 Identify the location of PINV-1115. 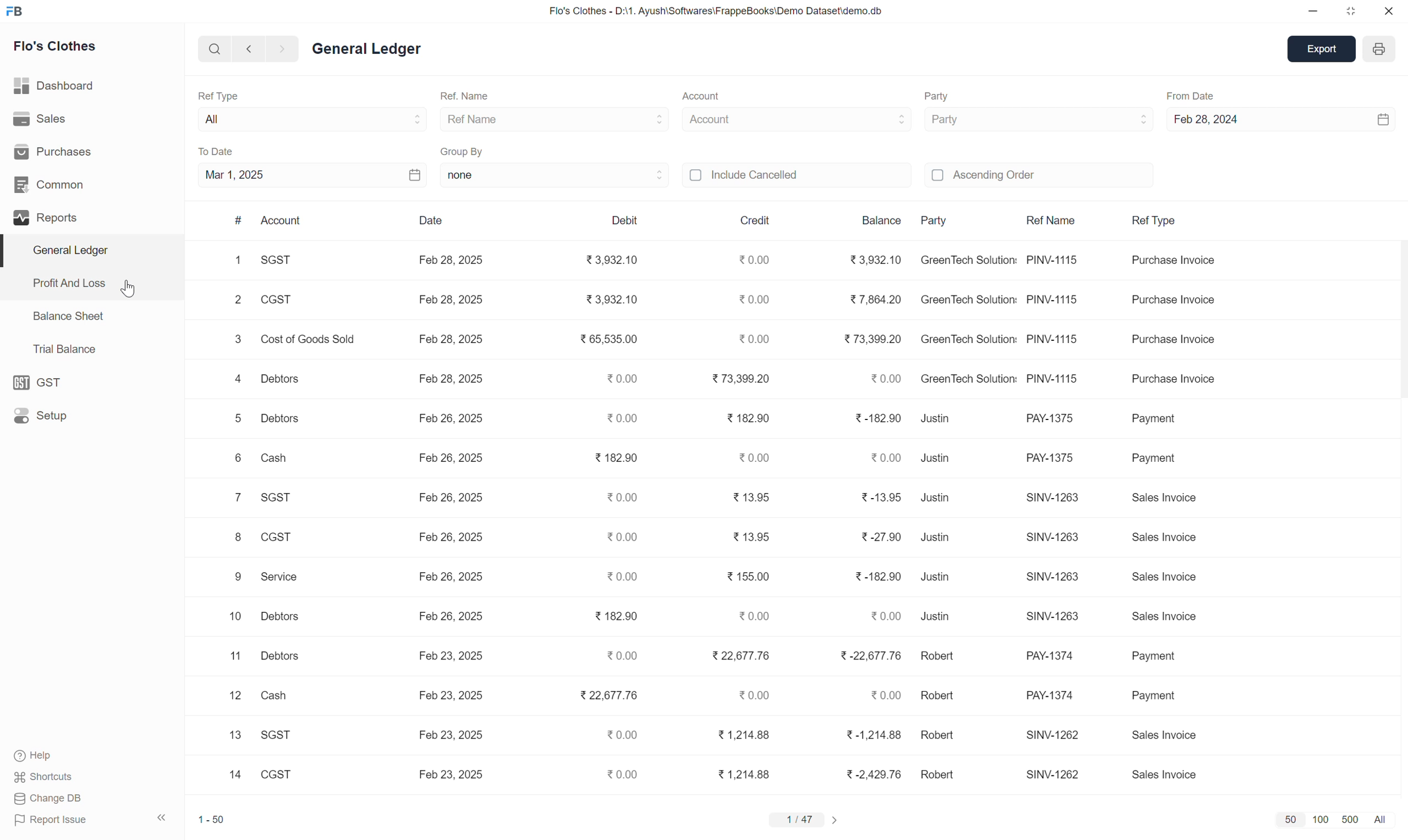
(1051, 259).